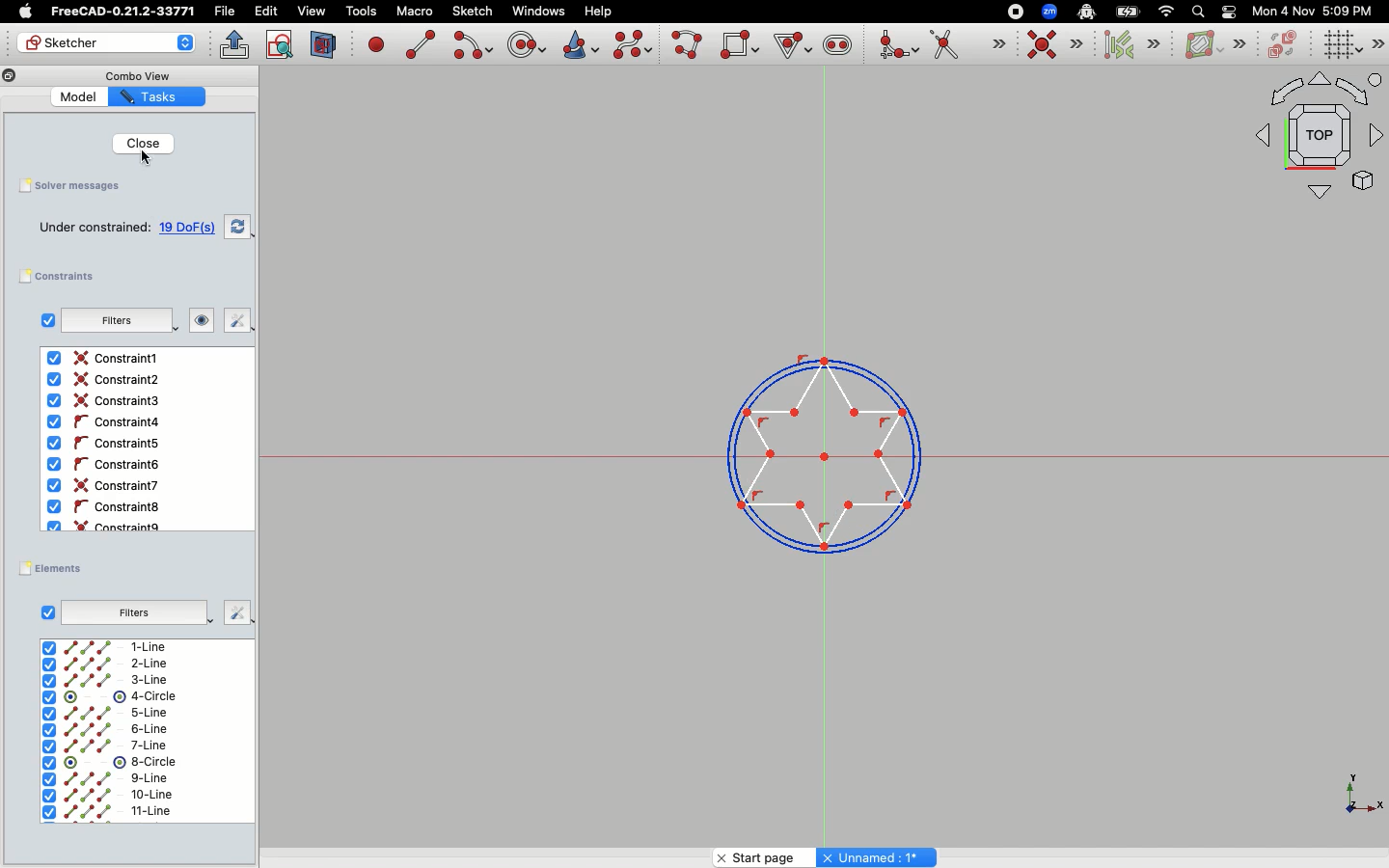  Describe the element at coordinates (579, 43) in the screenshot. I see `Create conic` at that location.